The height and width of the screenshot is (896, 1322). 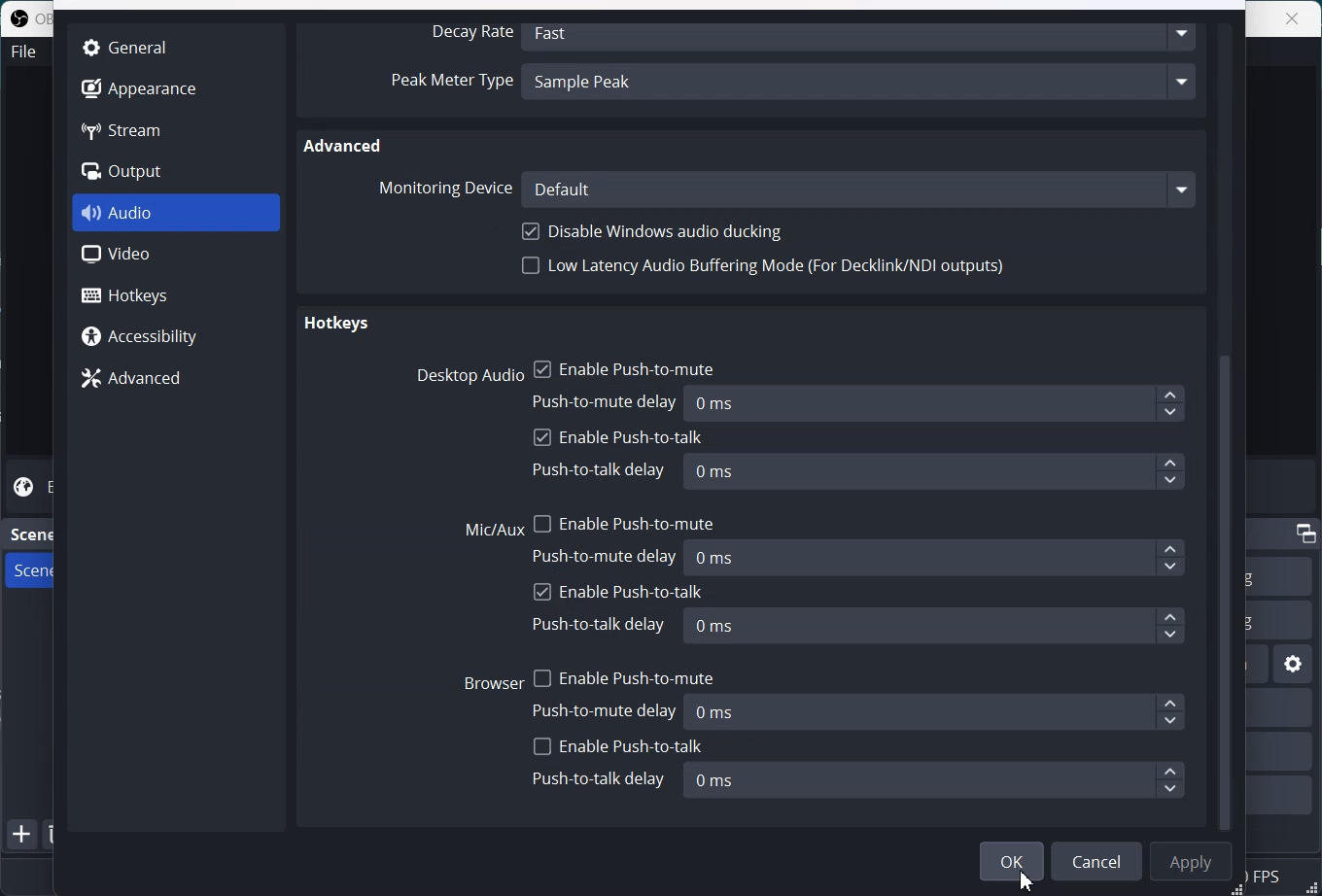 What do you see at coordinates (138, 86) in the screenshot?
I see `Appearance` at bounding box center [138, 86].